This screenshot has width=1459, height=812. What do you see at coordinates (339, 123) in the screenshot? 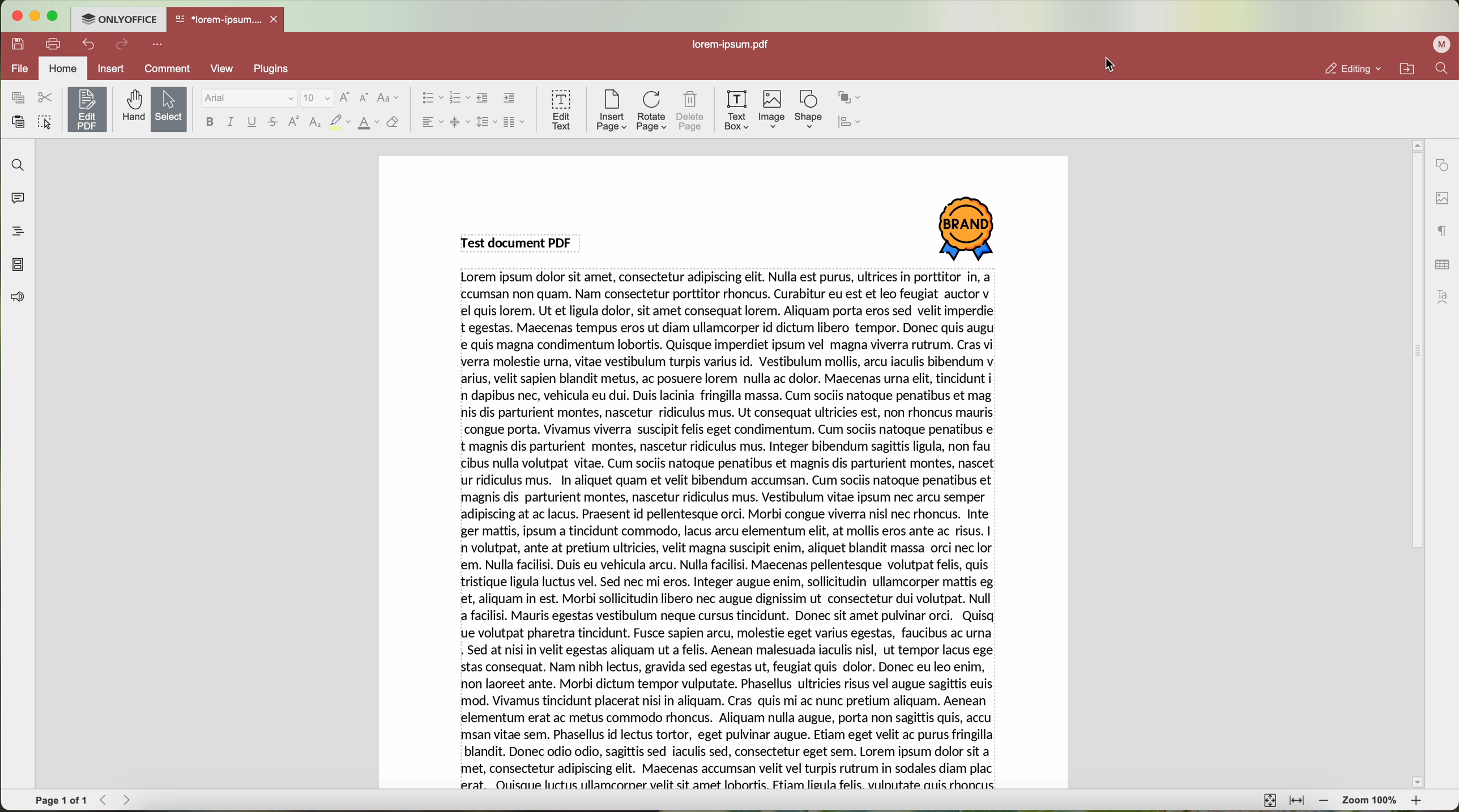
I see `highlight color` at bounding box center [339, 123].